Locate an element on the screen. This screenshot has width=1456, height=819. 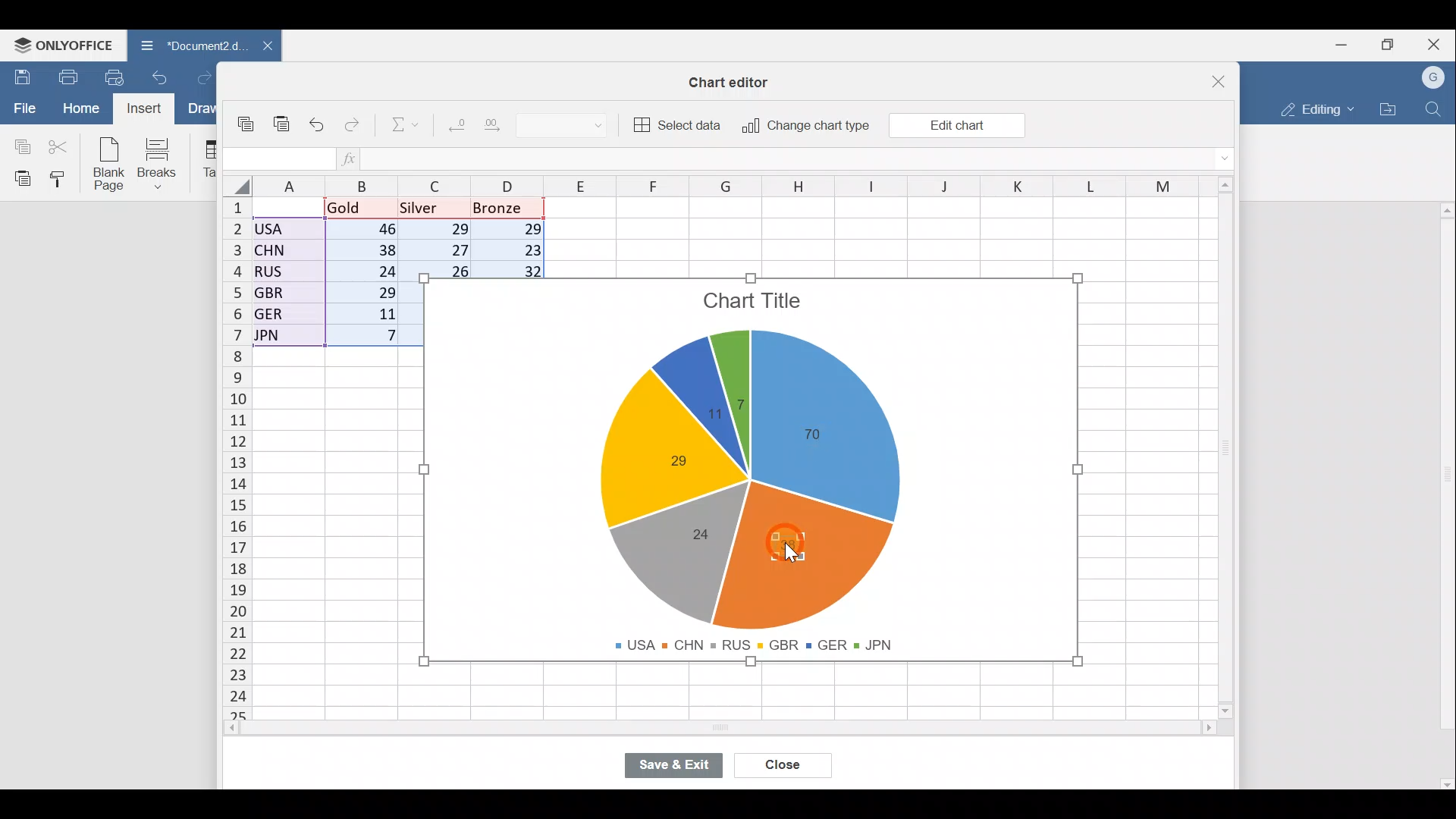
Close document is located at coordinates (265, 47).